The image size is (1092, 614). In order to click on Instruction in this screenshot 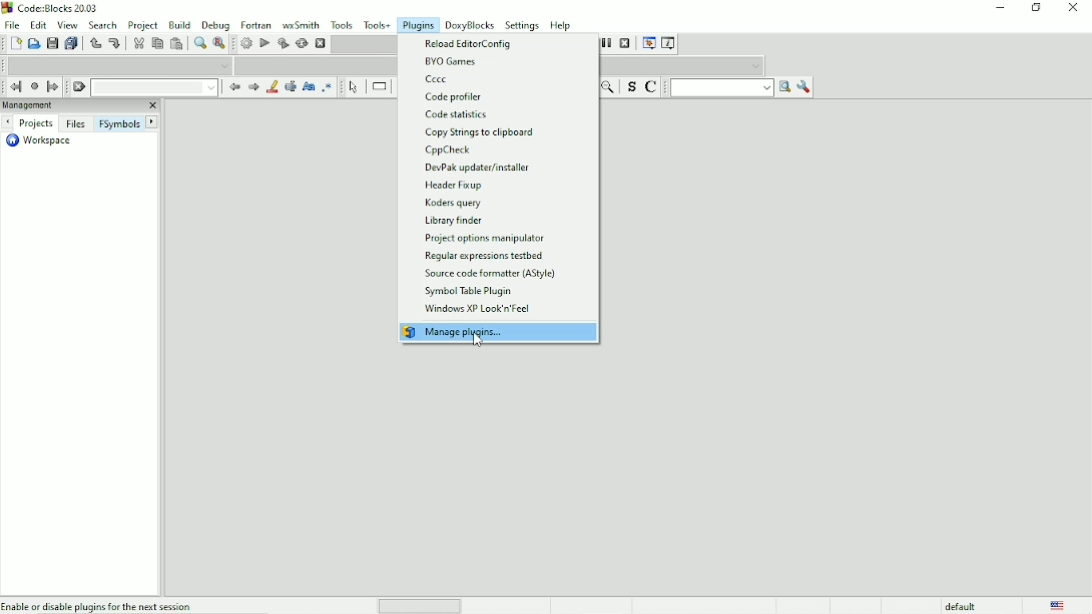, I will do `click(378, 87)`.